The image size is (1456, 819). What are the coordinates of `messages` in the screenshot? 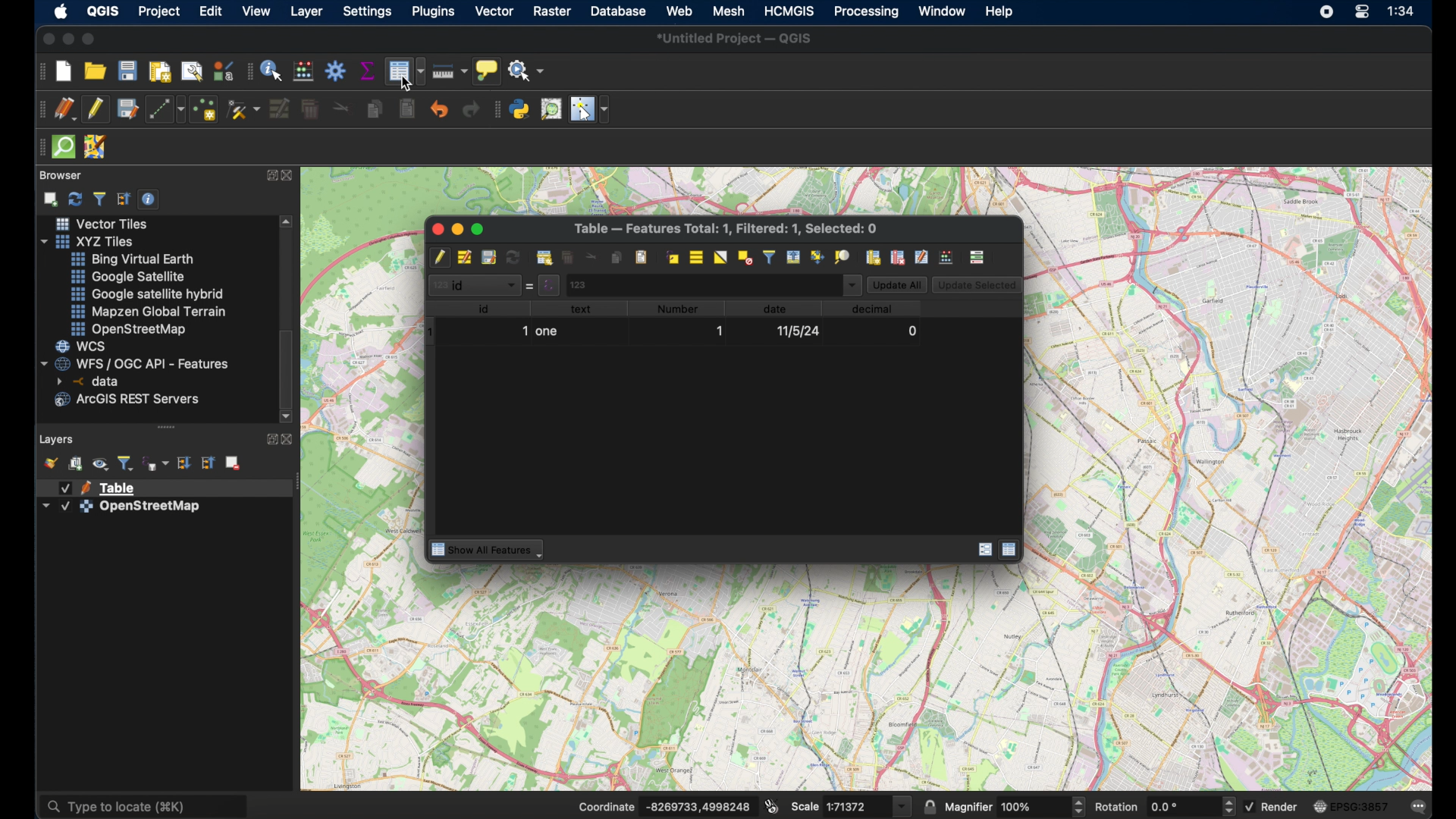 It's located at (1419, 808).